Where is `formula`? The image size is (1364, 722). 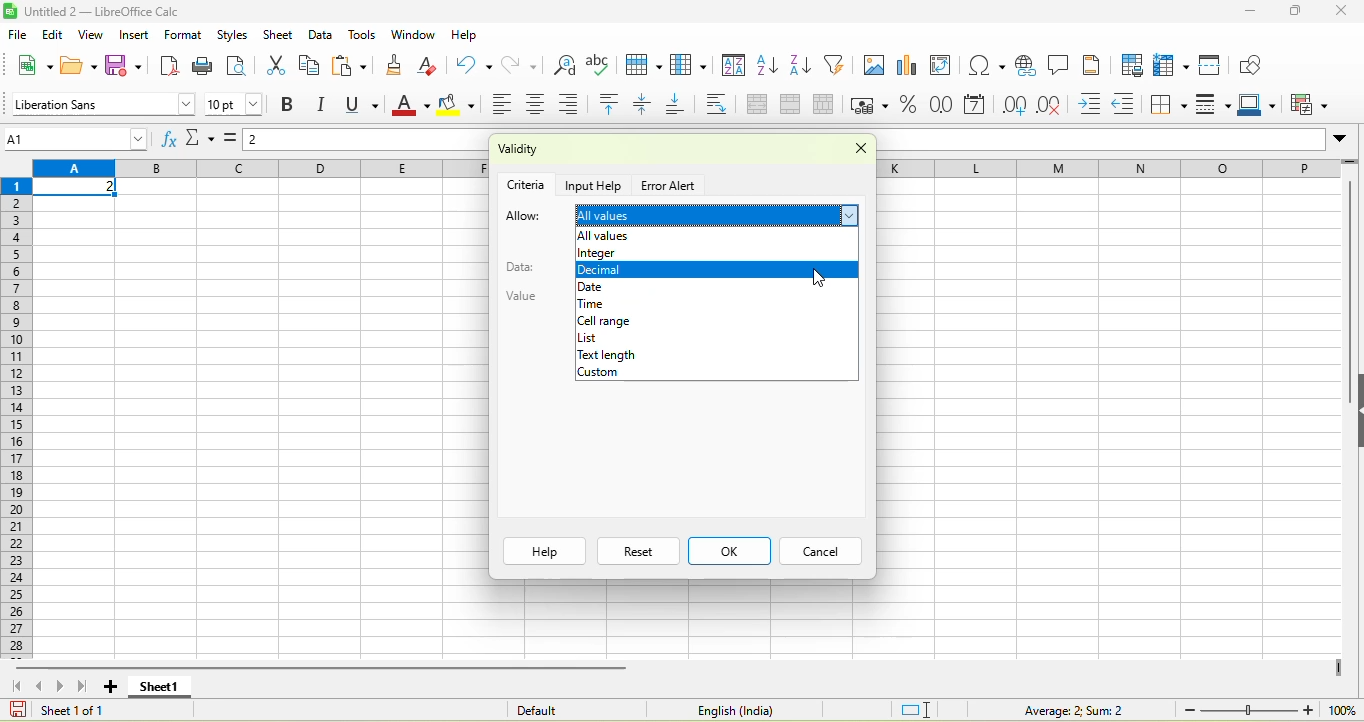 formula is located at coordinates (234, 143).